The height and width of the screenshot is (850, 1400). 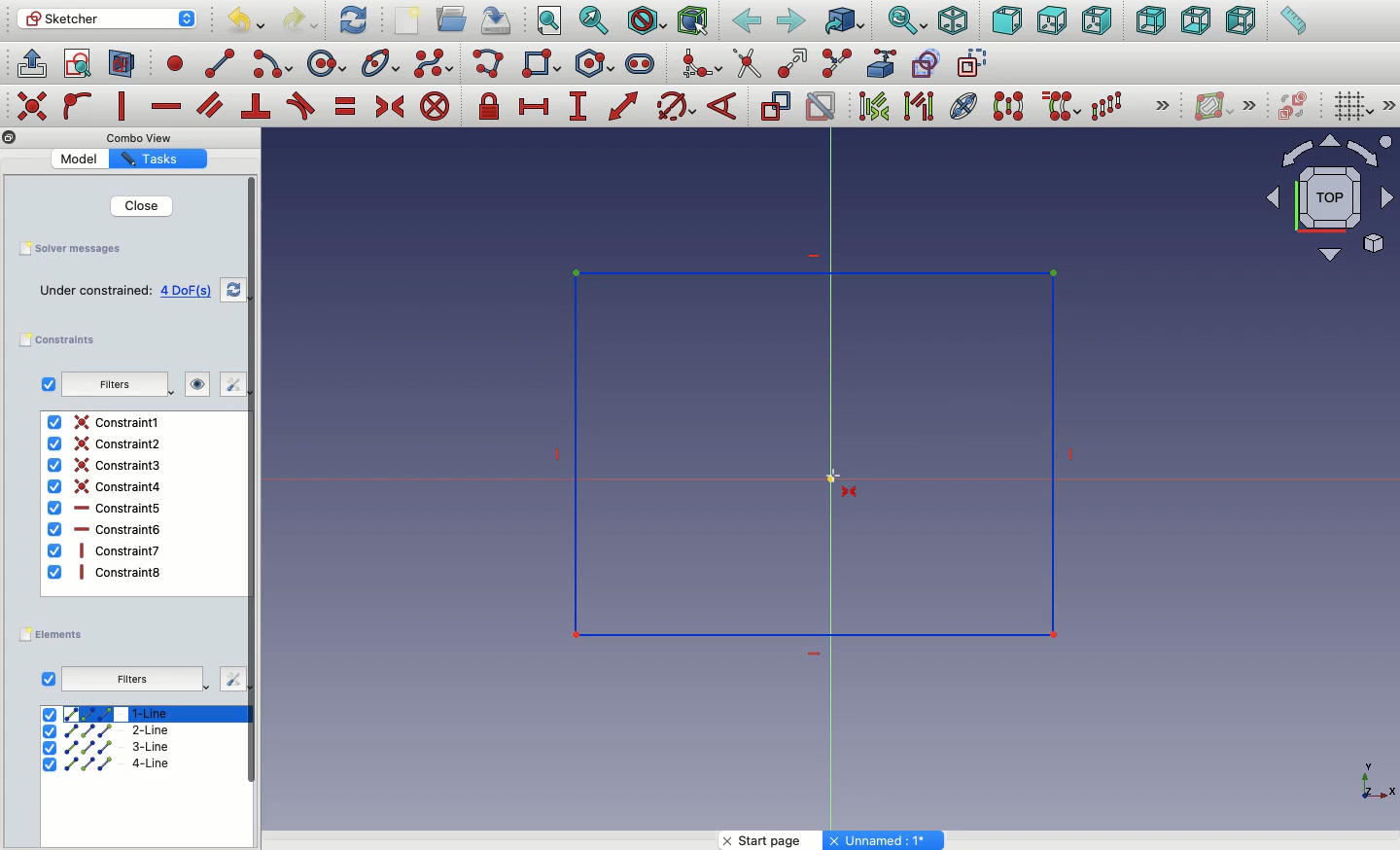 What do you see at coordinates (303, 20) in the screenshot?
I see `Redo` at bounding box center [303, 20].